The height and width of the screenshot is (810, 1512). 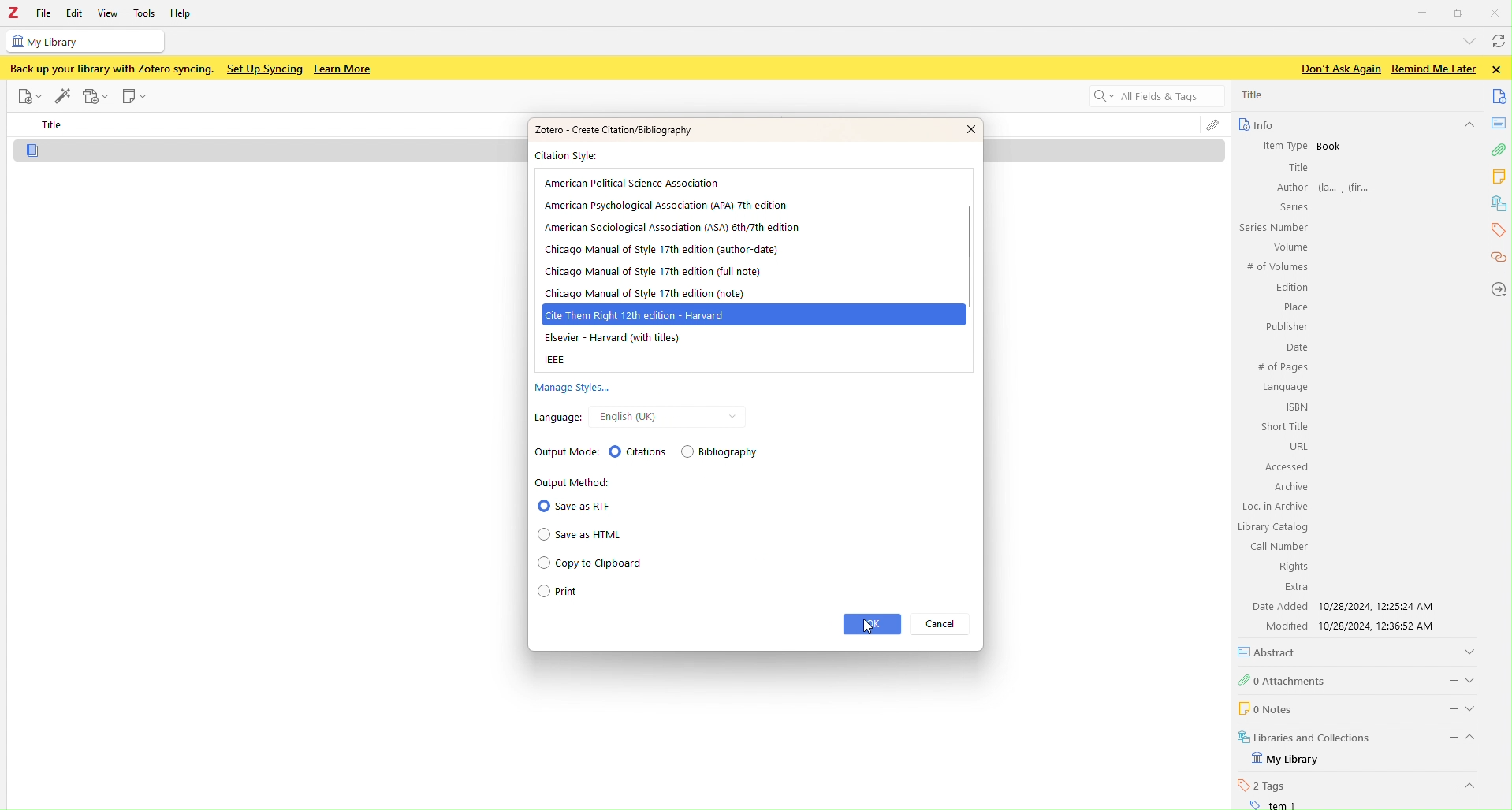 I want to click on Don’t Ask Again, so click(x=1336, y=69).